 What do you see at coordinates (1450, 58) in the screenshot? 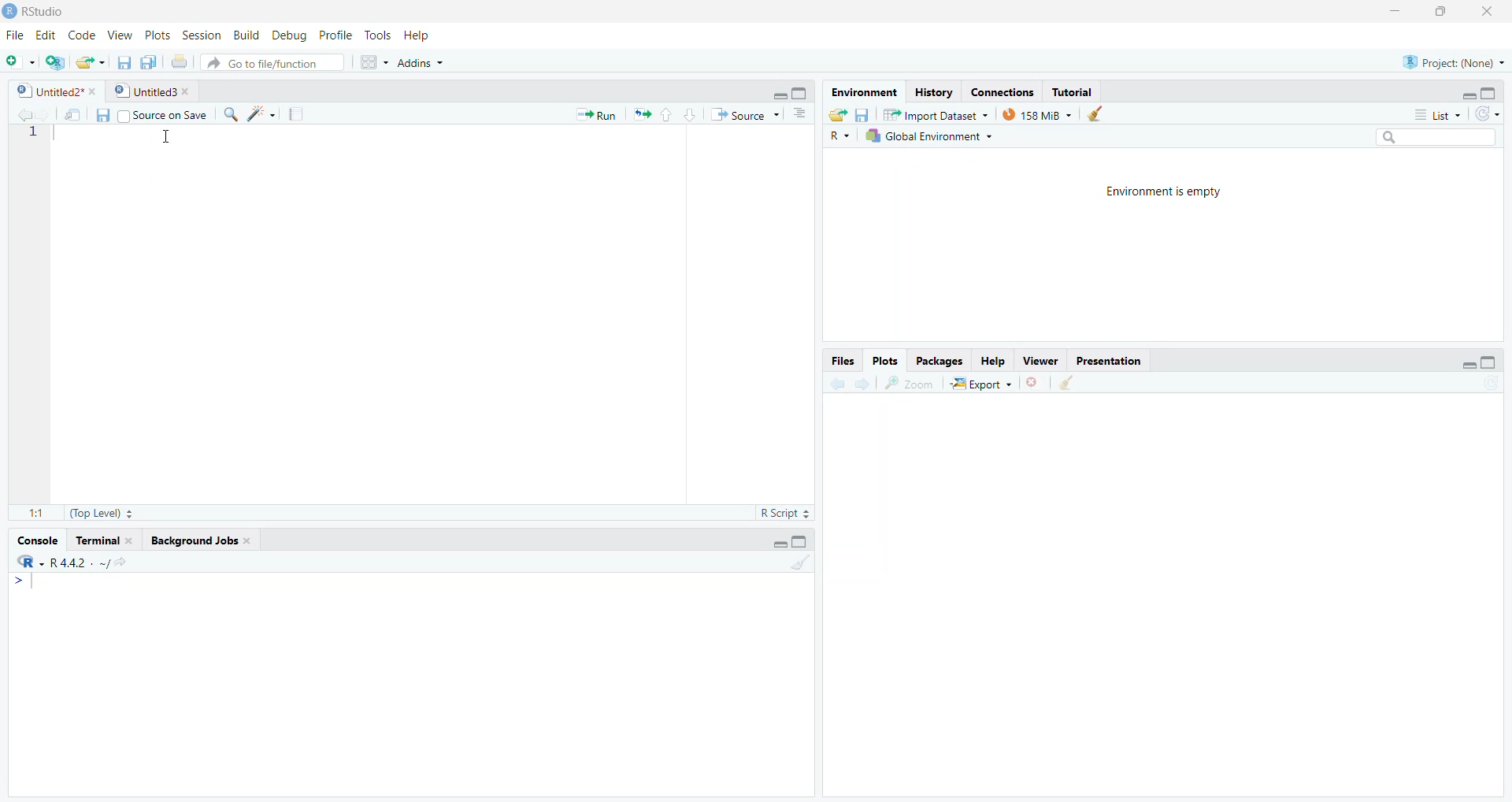
I see `@ Proiect: (None) ~` at bounding box center [1450, 58].